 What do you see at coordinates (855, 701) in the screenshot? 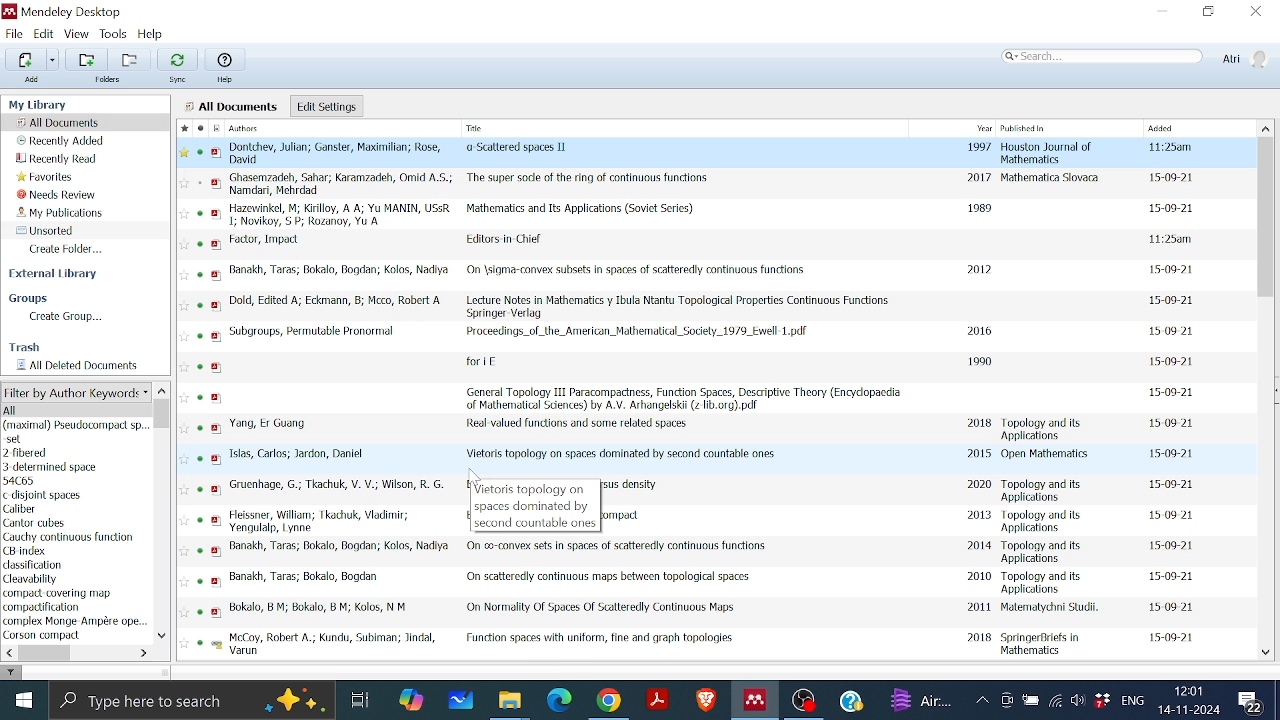
I see `Help` at bounding box center [855, 701].